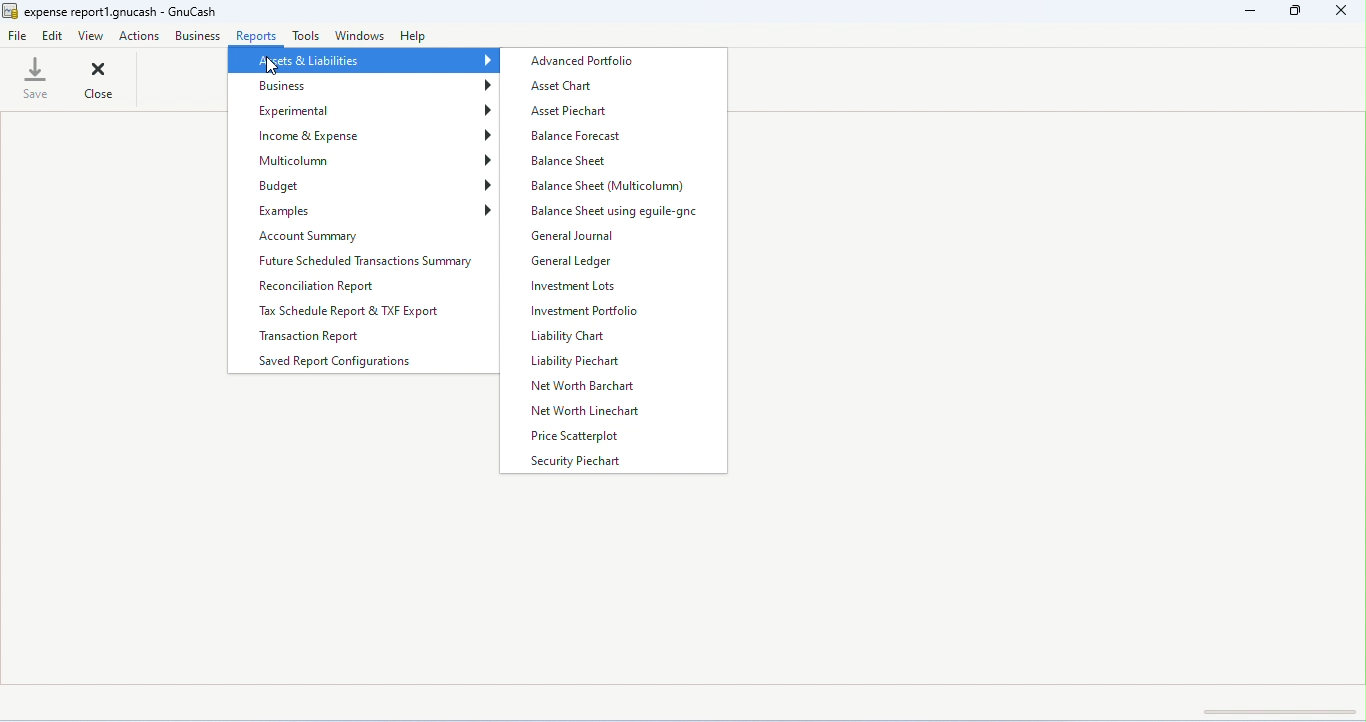 The height and width of the screenshot is (722, 1366). What do you see at coordinates (366, 110) in the screenshot?
I see `experimental` at bounding box center [366, 110].